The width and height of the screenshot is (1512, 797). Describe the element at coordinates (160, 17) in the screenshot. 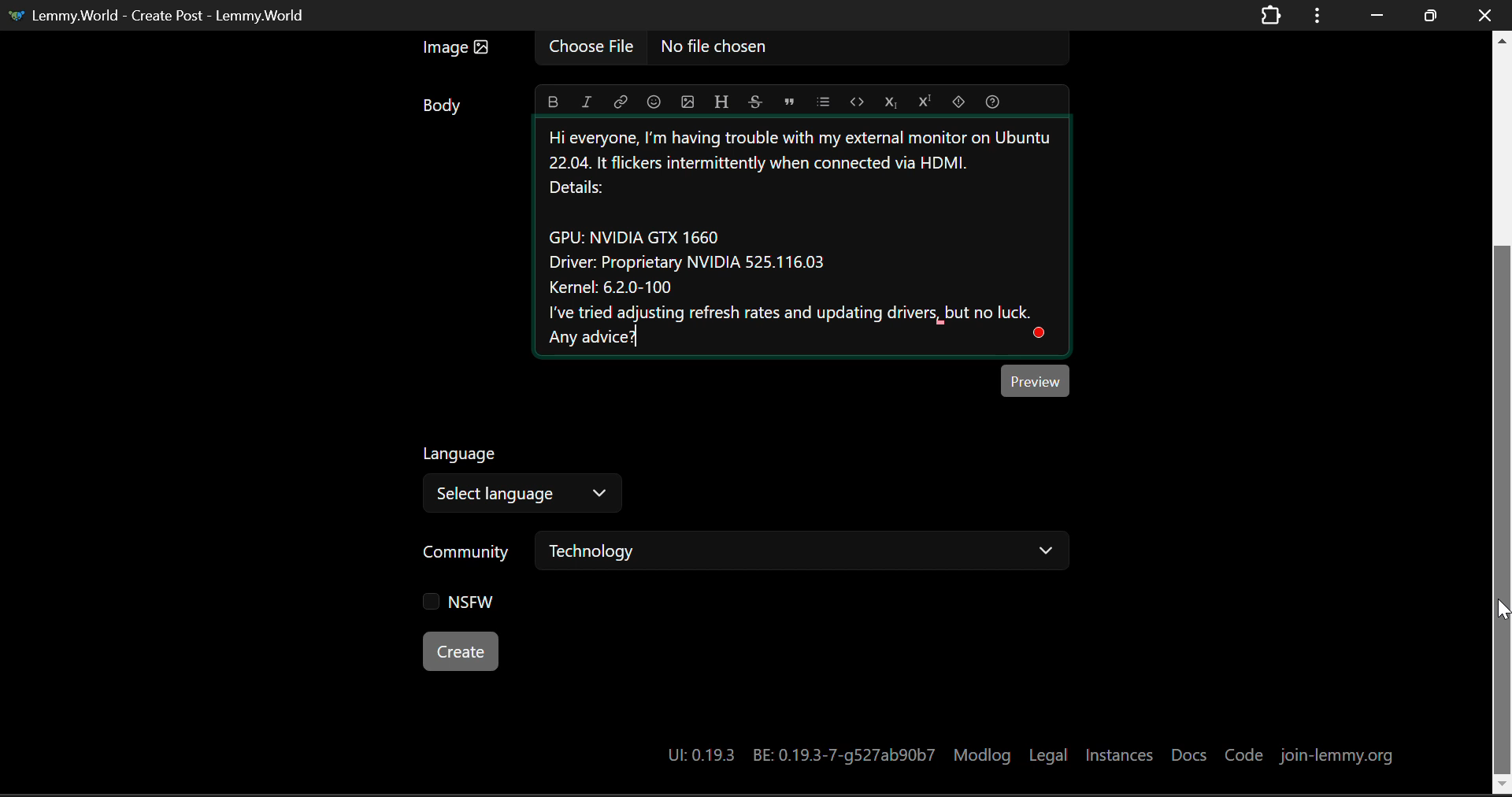

I see `Lemmy.World - Create Post - Lemmy.World` at that location.